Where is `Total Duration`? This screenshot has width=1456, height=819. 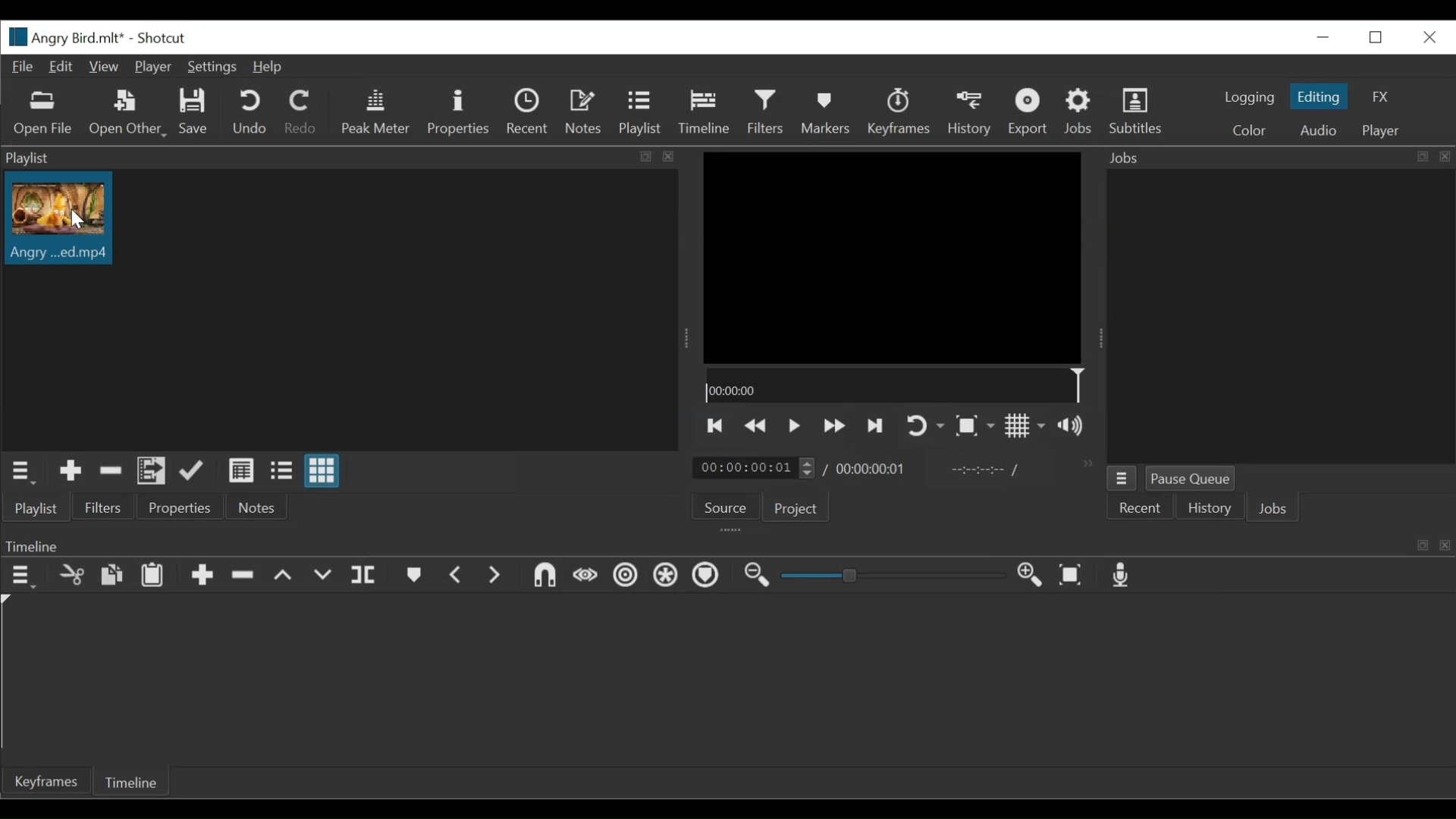
Total Duration is located at coordinates (873, 469).